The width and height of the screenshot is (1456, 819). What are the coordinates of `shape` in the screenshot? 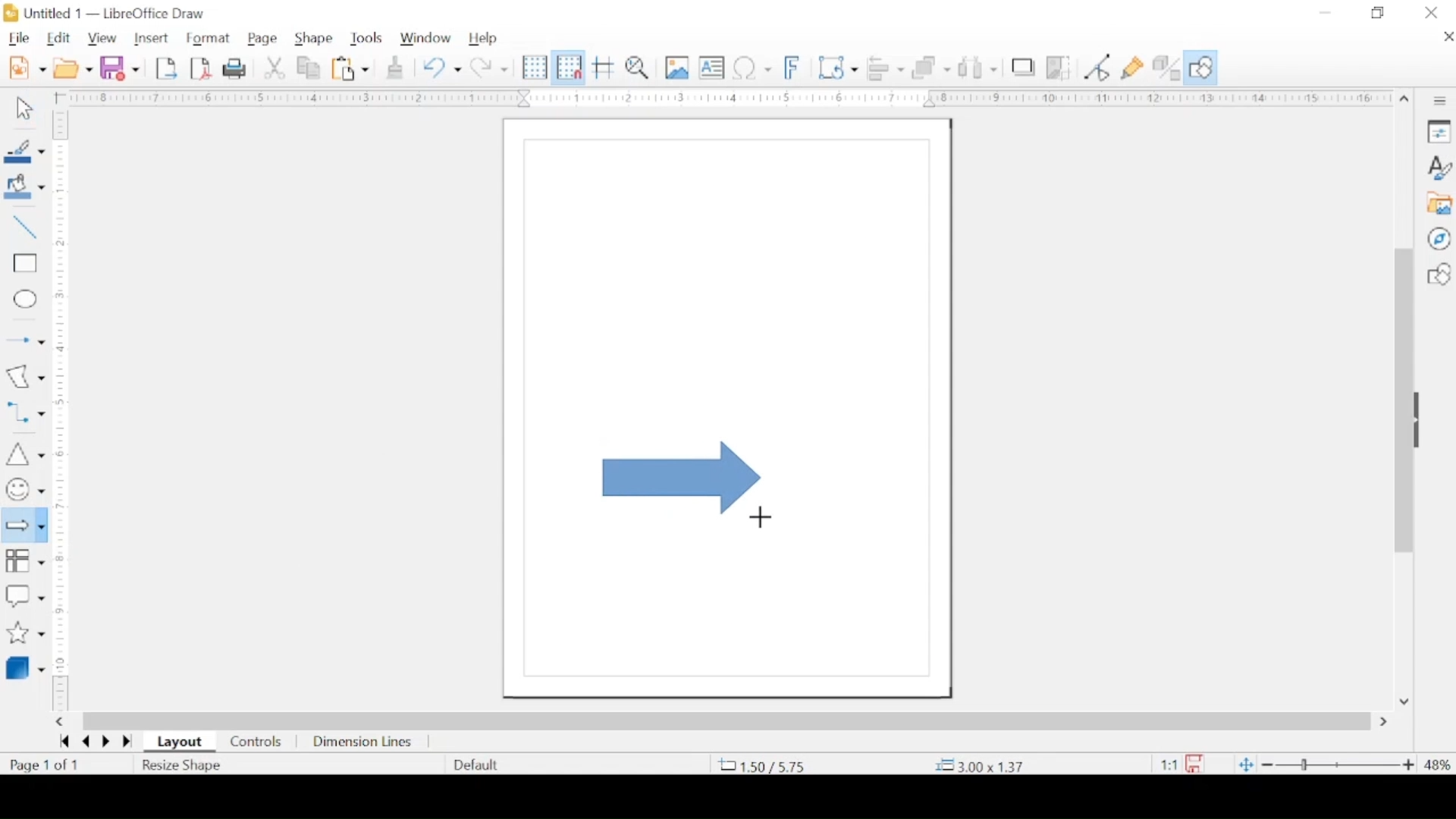 It's located at (314, 39).